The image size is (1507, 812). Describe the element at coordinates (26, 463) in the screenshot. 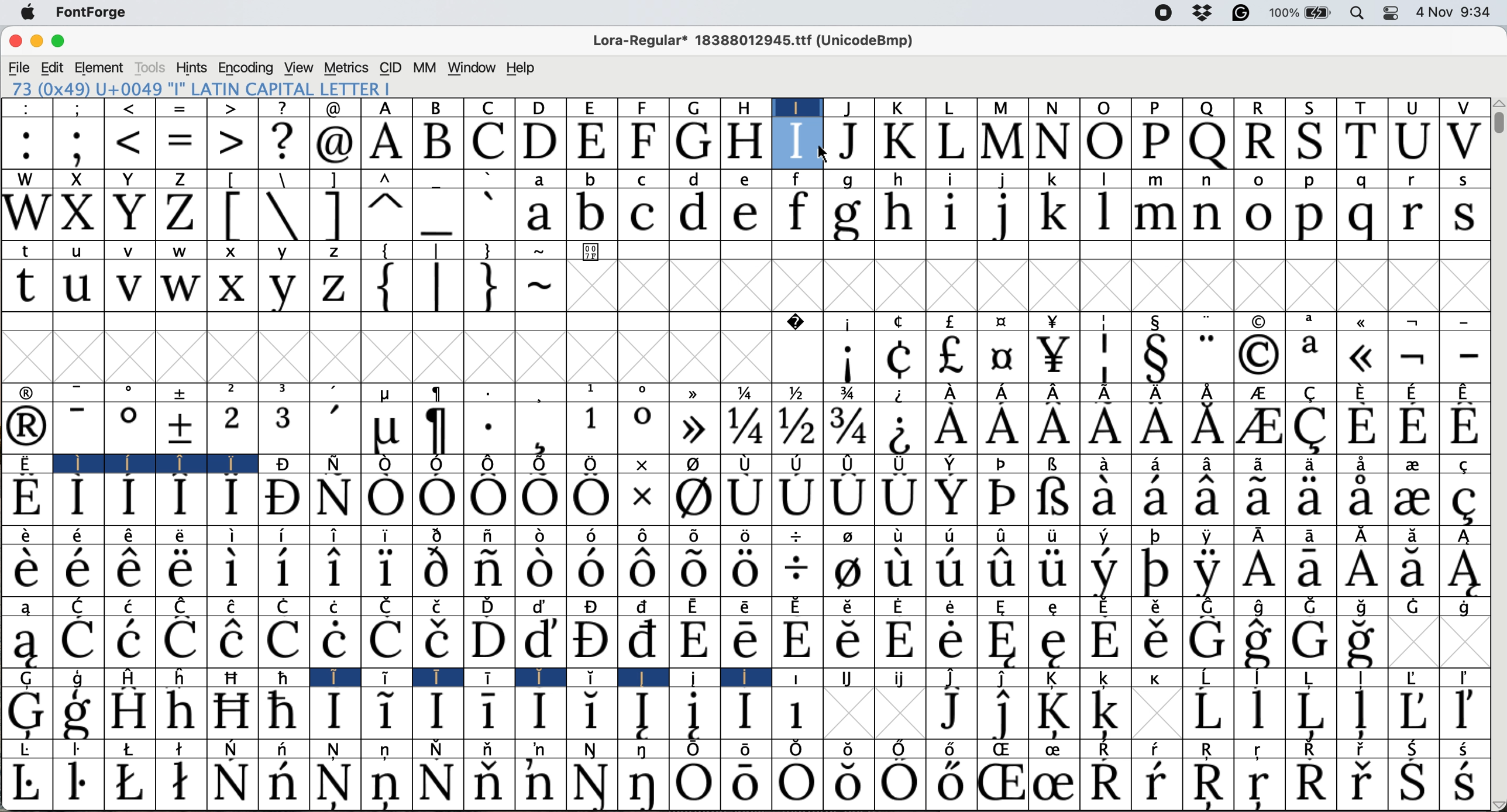

I see `Symbol` at that location.